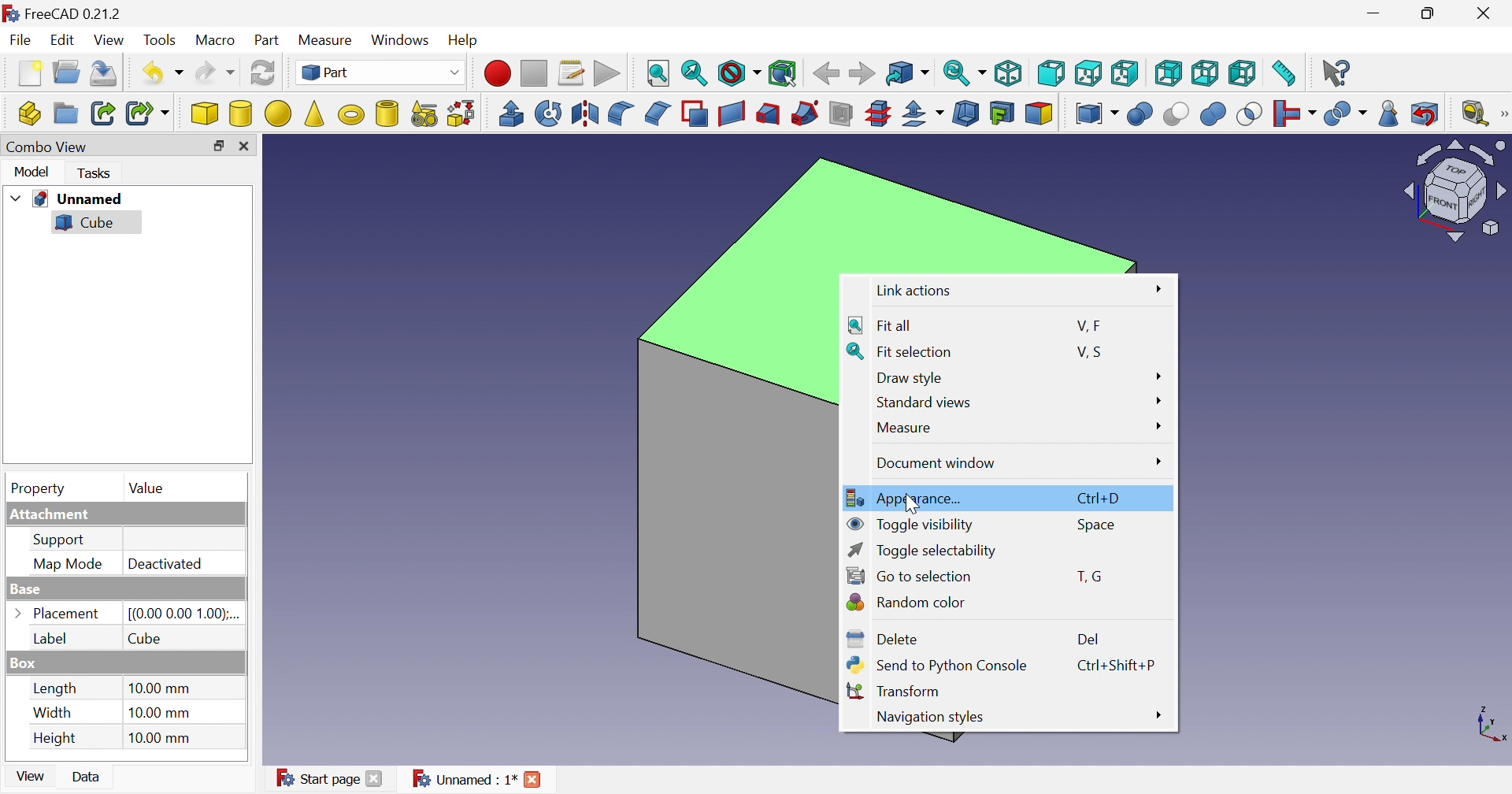 Image resolution: width=1512 pixels, height=794 pixels. Describe the element at coordinates (1373, 13) in the screenshot. I see `Minimize` at that location.